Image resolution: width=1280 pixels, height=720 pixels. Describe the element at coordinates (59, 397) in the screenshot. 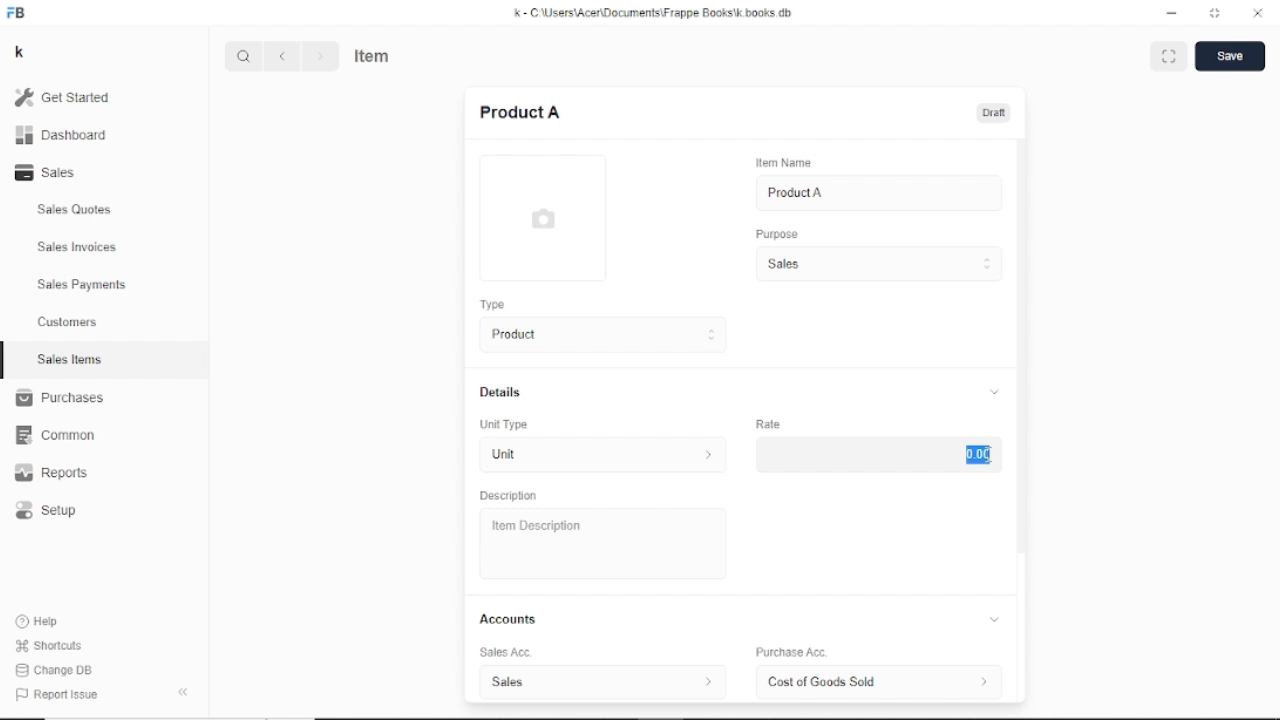

I see `Purchases` at that location.